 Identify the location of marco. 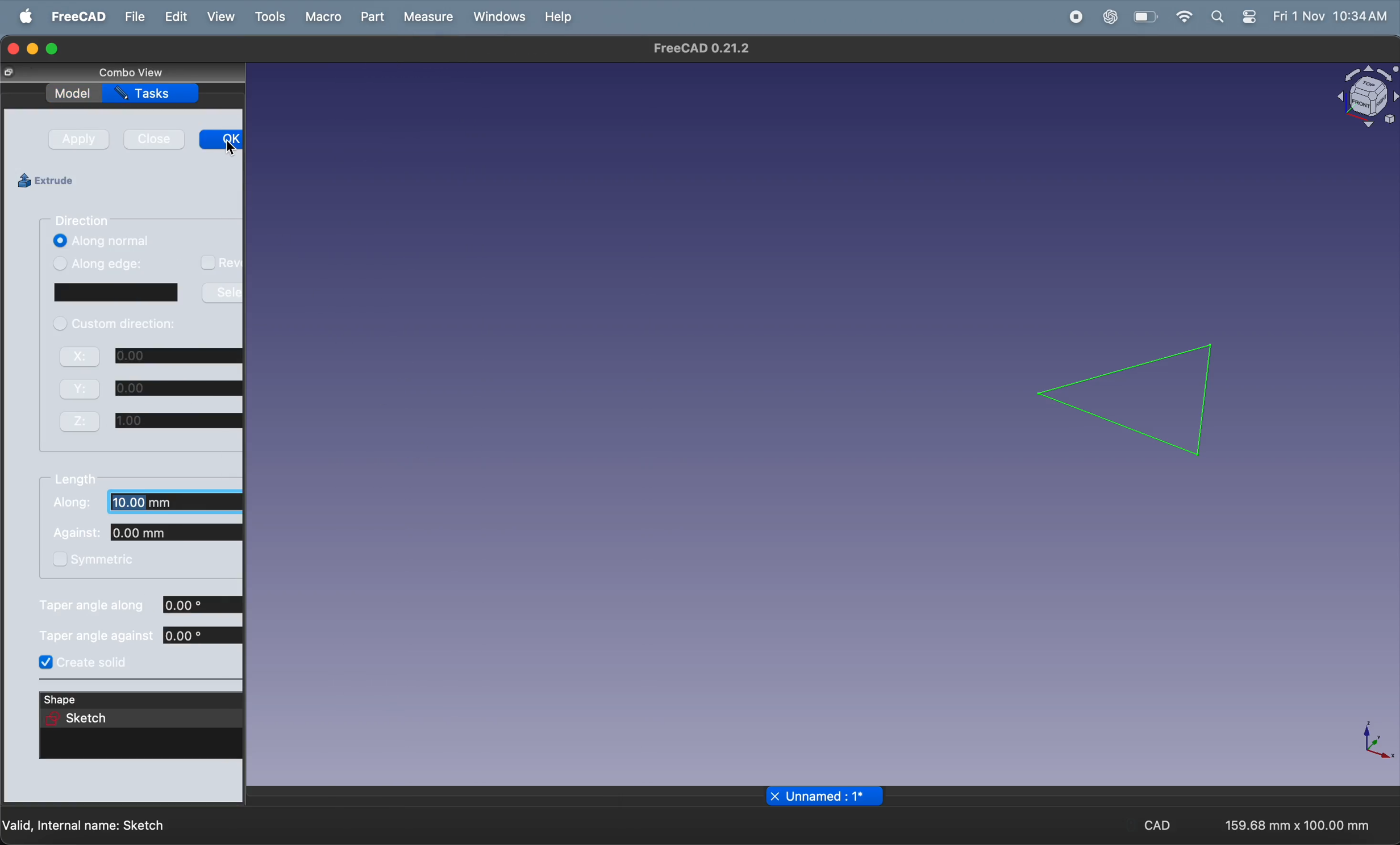
(326, 18).